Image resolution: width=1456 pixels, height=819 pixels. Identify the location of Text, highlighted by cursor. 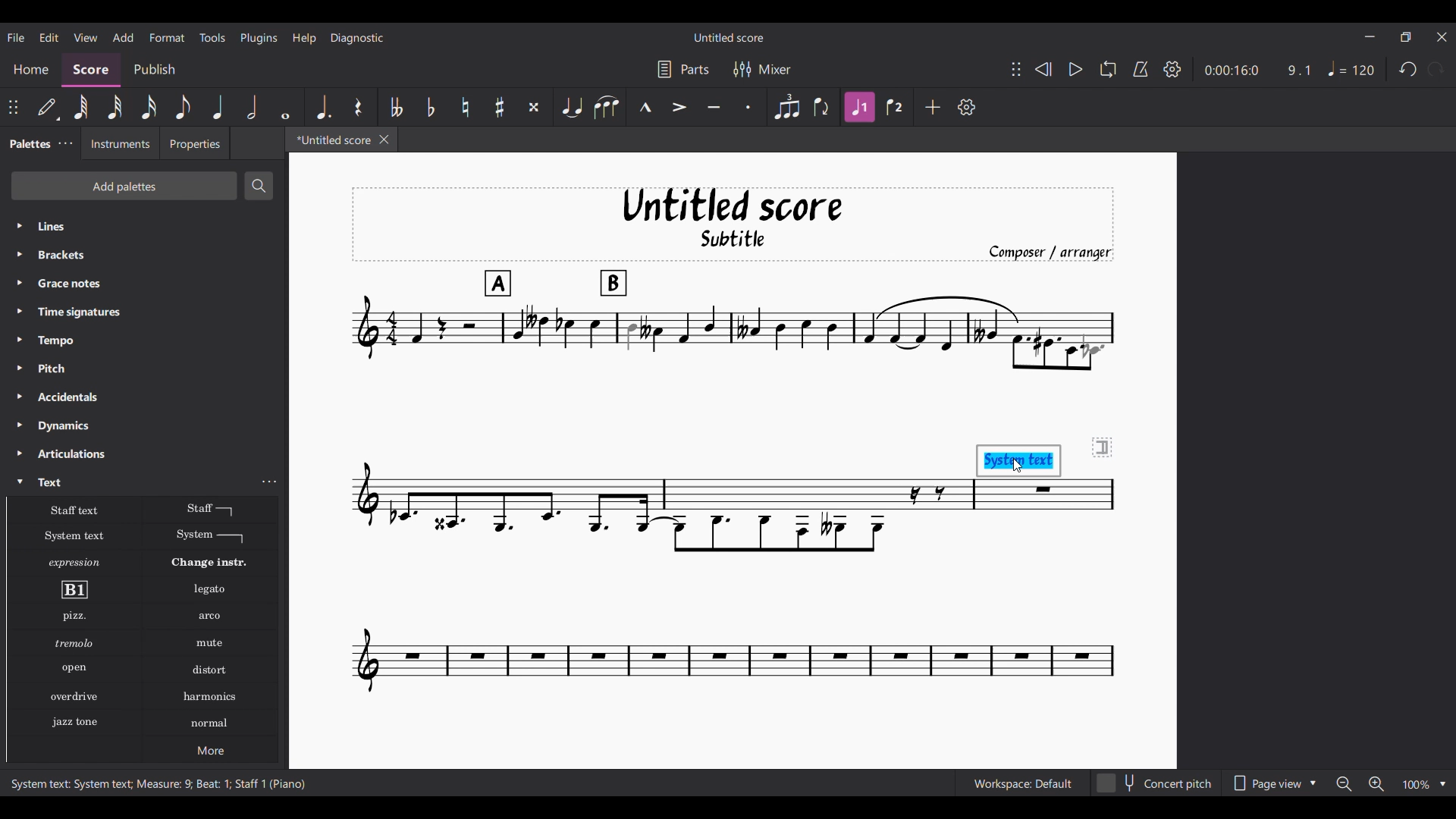
(130, 481).